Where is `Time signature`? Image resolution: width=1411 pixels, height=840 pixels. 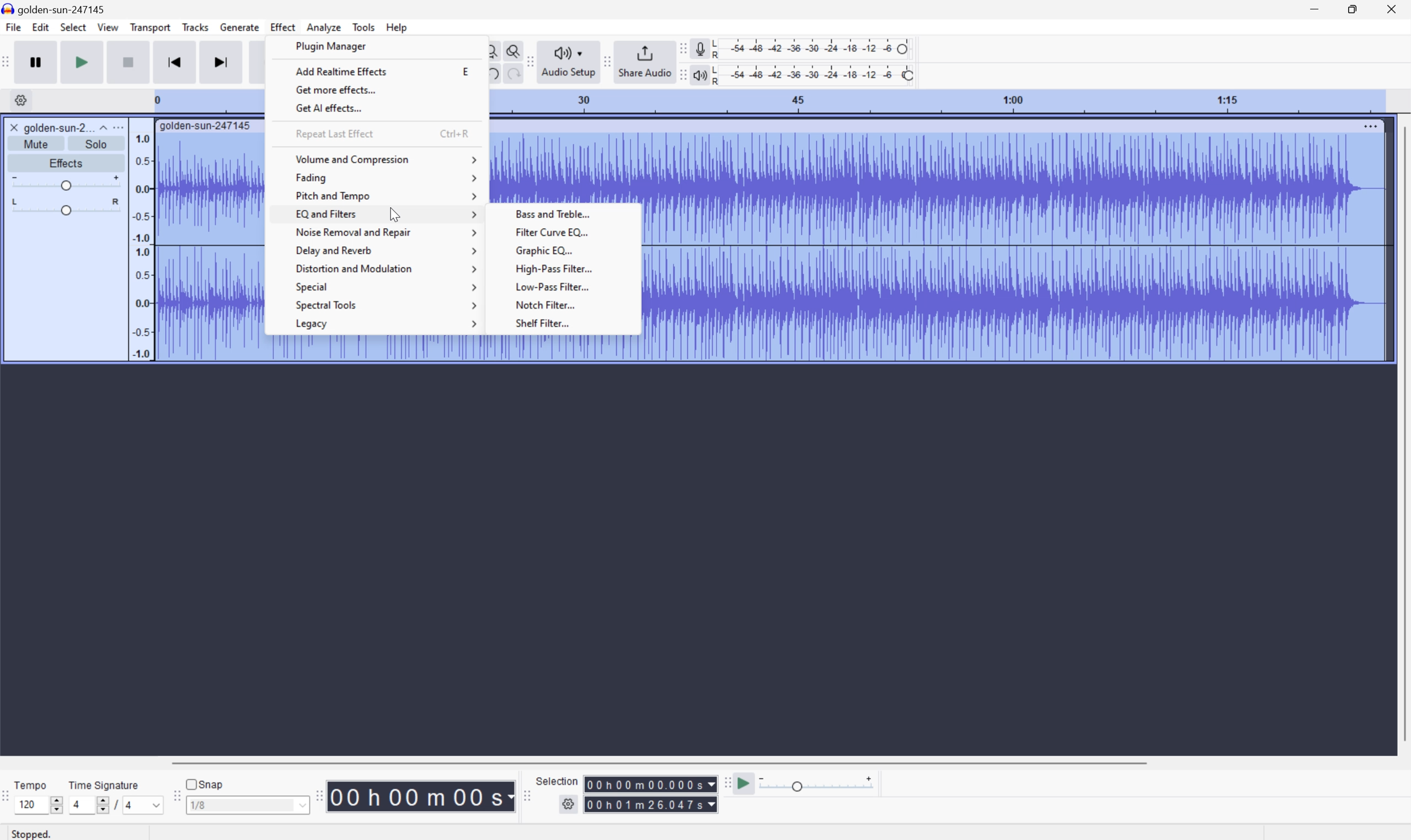 Time signature is located at coordinates (103, 785).